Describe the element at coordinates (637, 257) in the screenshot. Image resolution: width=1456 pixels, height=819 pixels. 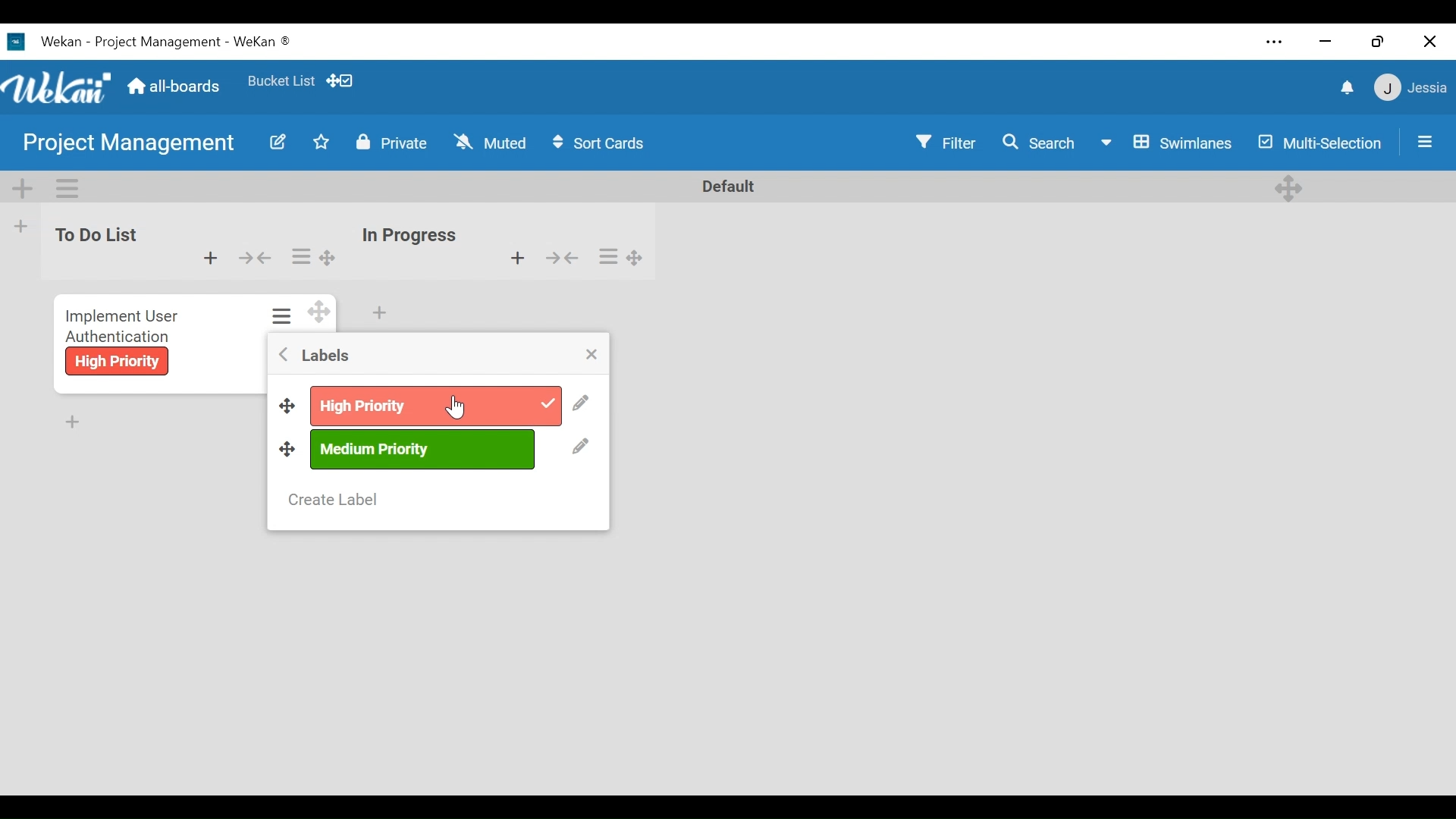
I see `desktop drag handles` at that location.